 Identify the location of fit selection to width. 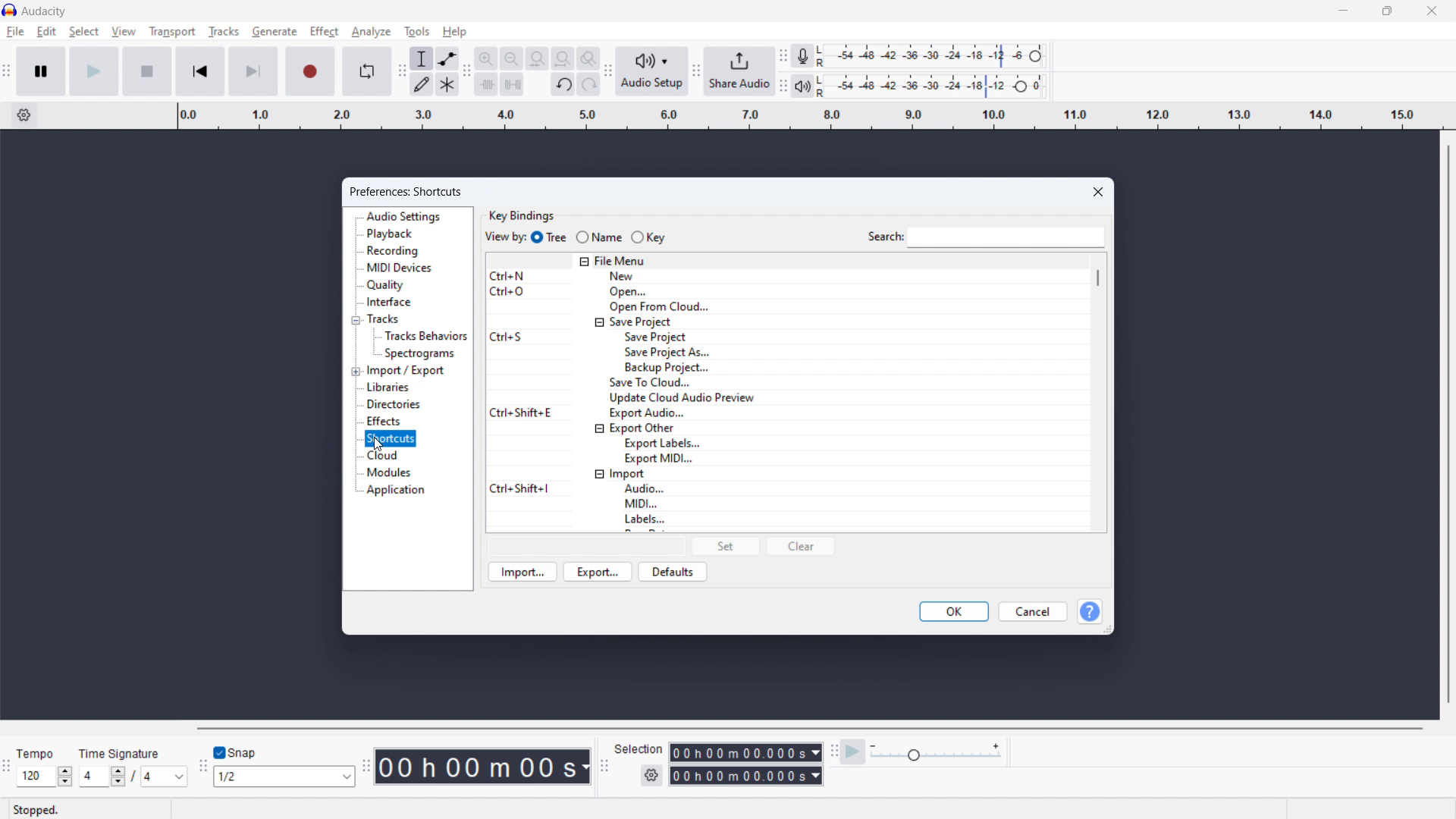
(537, 58).